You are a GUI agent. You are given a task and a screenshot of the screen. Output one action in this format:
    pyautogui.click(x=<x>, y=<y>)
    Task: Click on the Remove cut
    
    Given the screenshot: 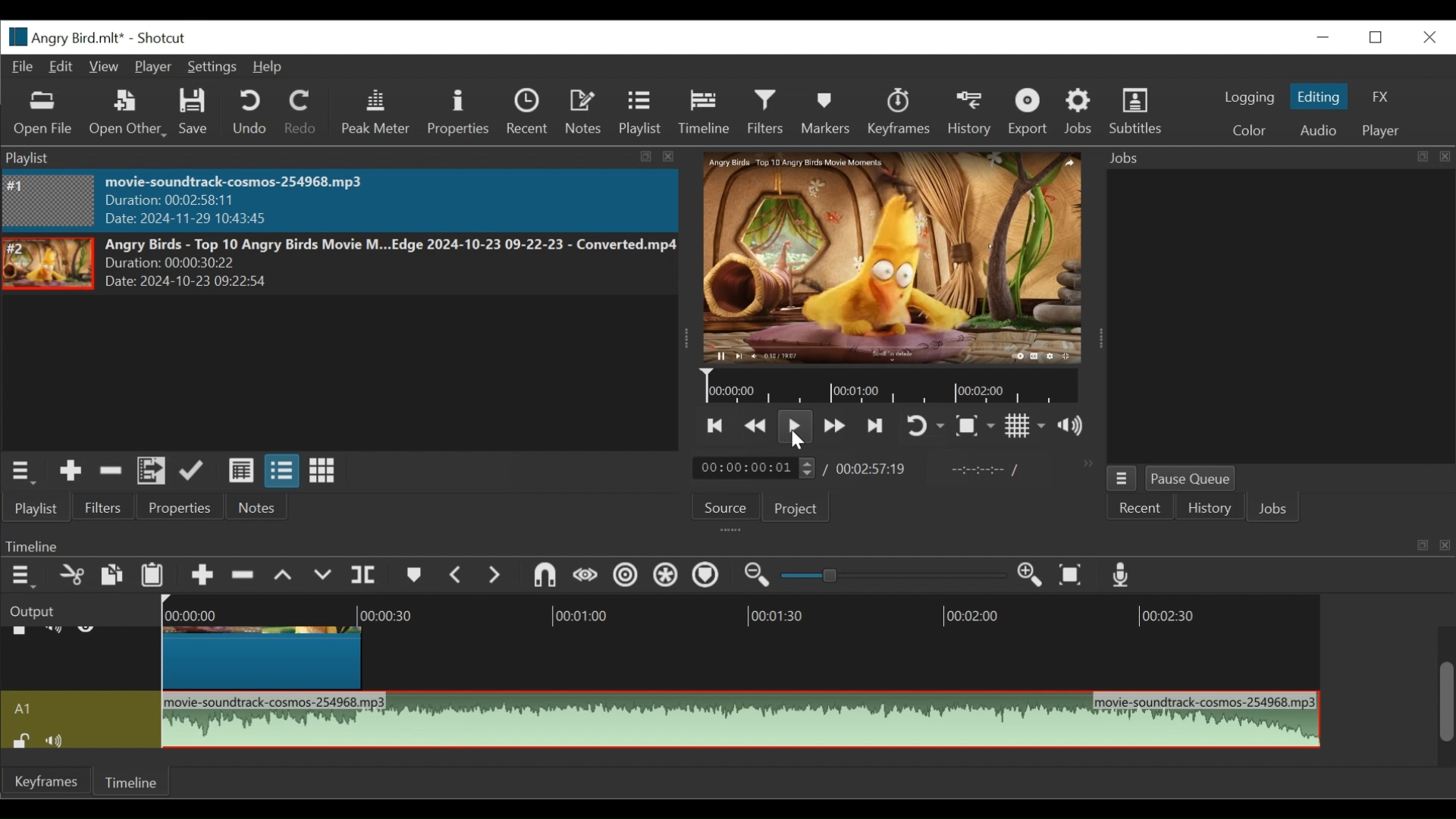 What is the action you would take?
    pyautogui.click(x=111, y=472)
    